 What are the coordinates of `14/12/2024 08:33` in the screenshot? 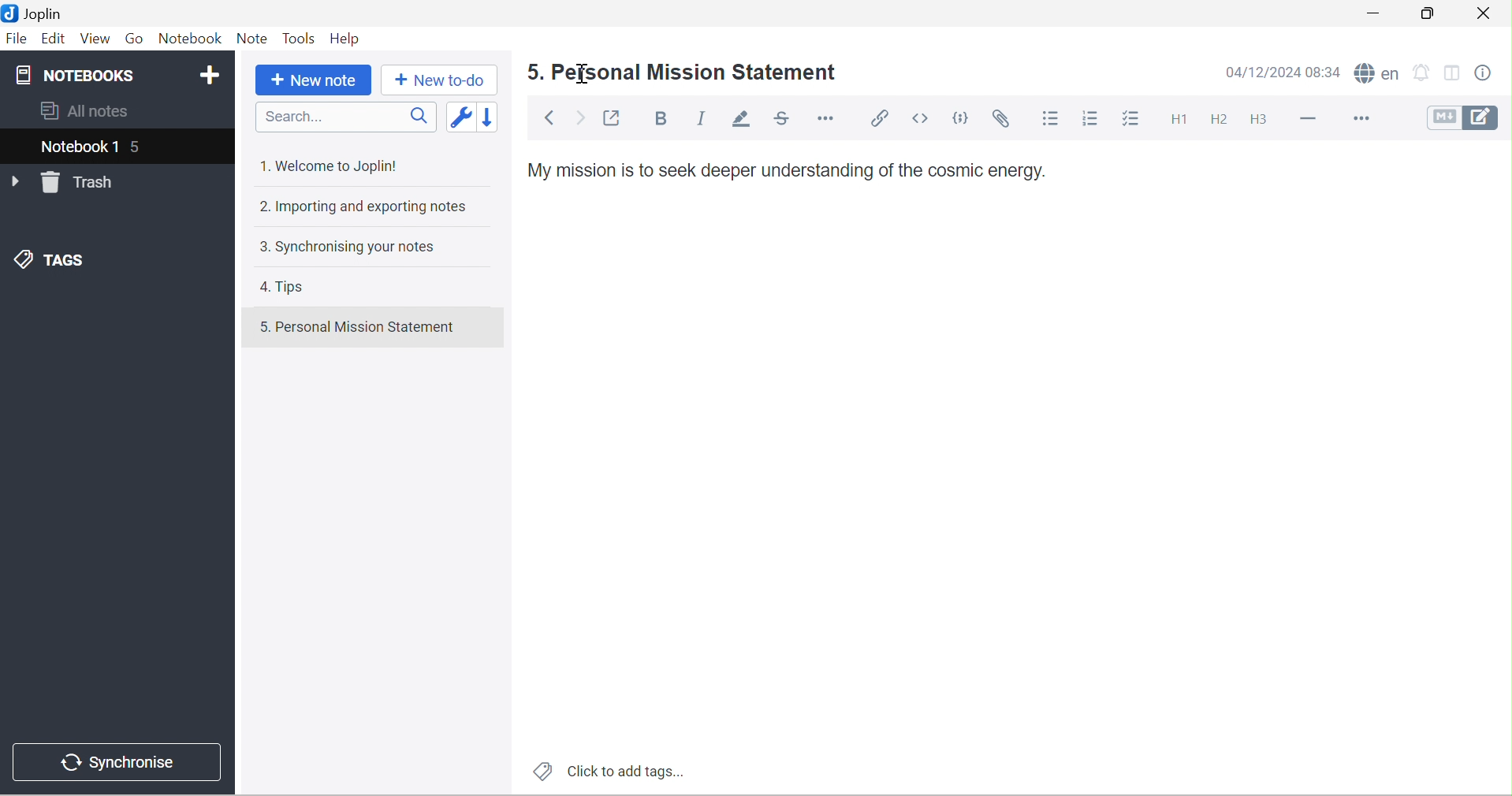 It's located at (1282, 73).